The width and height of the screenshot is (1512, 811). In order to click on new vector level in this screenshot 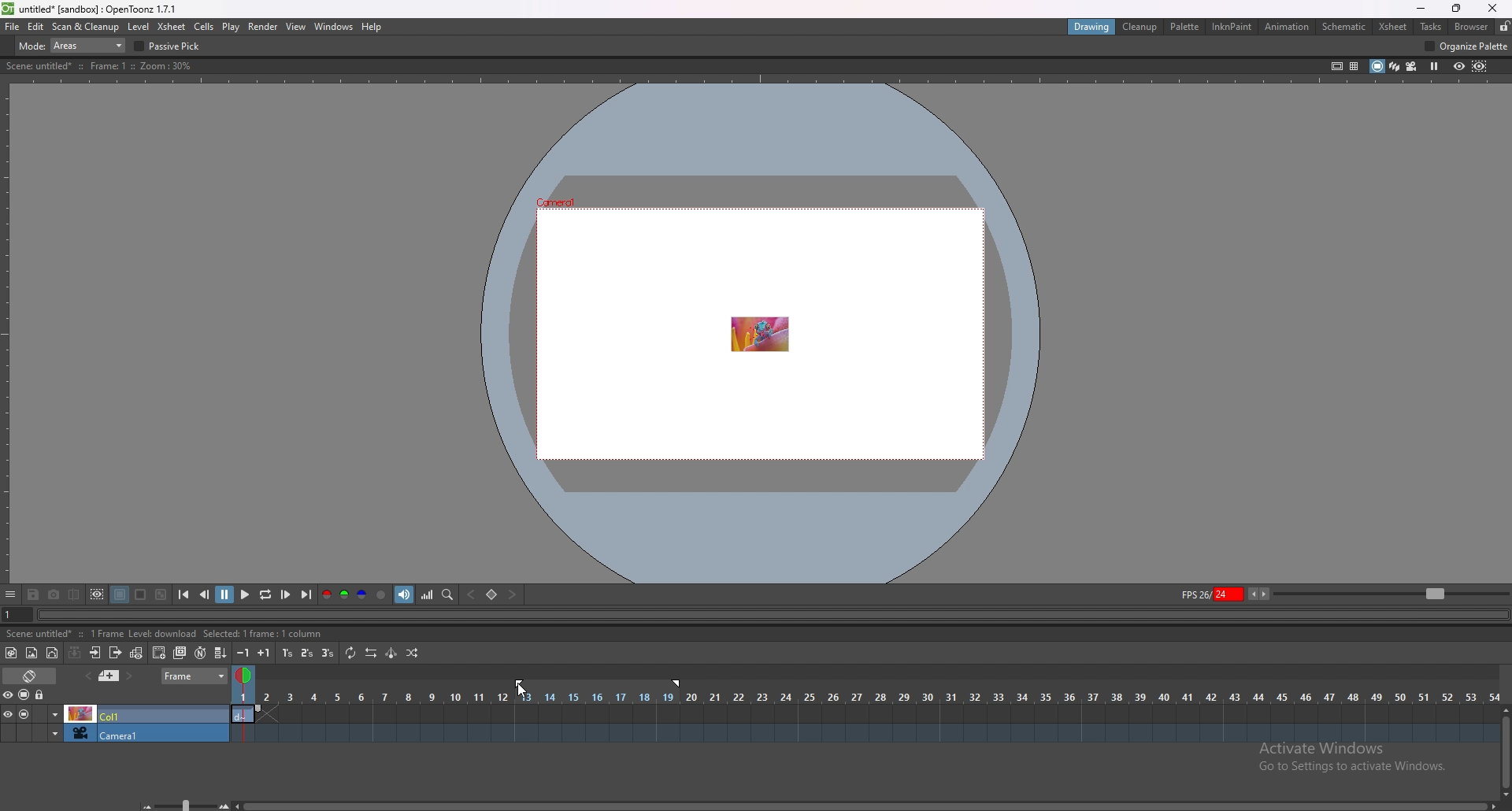, I will do `click(52, 653)`.